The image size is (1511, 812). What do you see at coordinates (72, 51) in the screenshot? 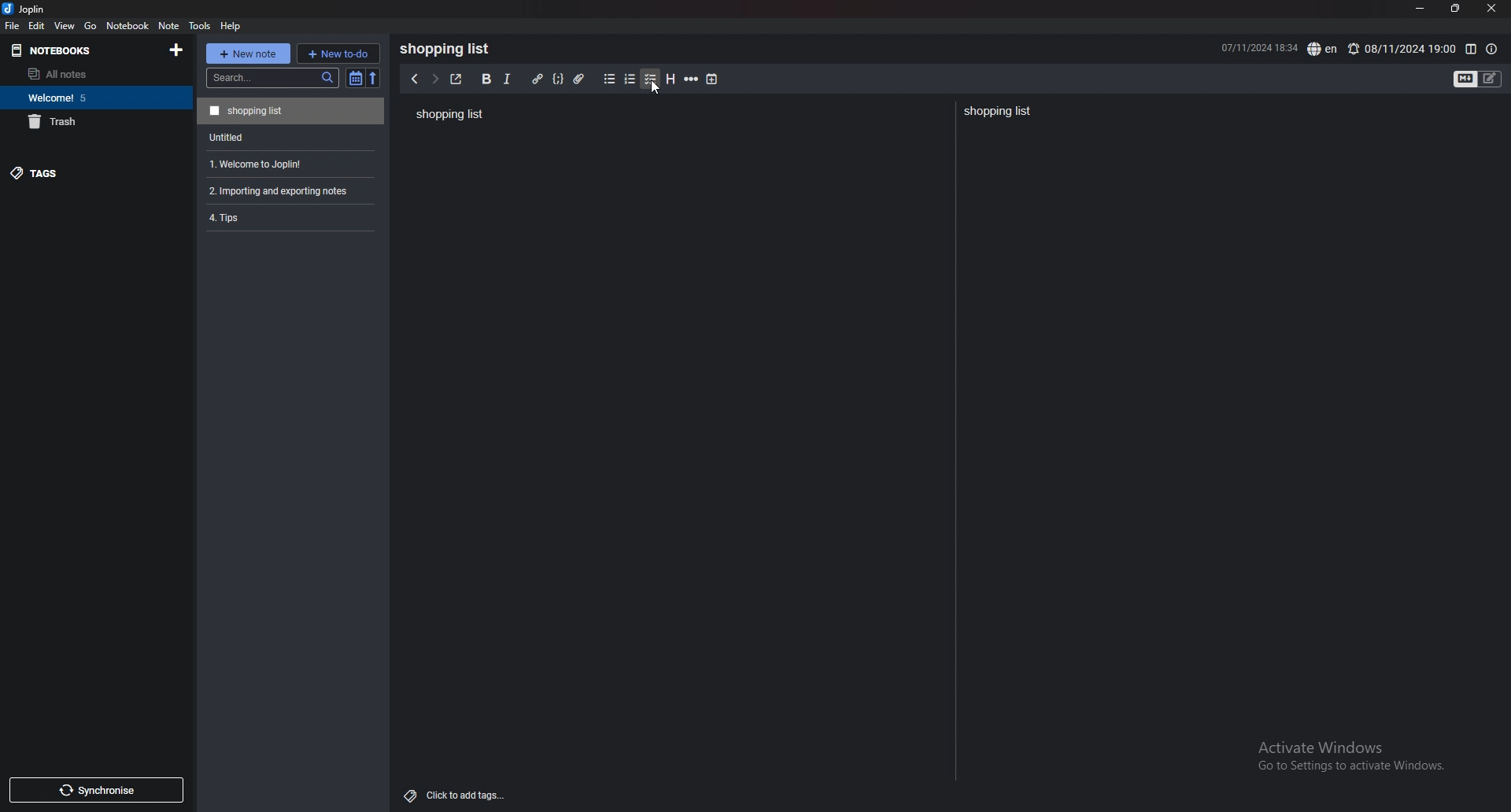
I see `notebooks` at bounding box center [72, 51].